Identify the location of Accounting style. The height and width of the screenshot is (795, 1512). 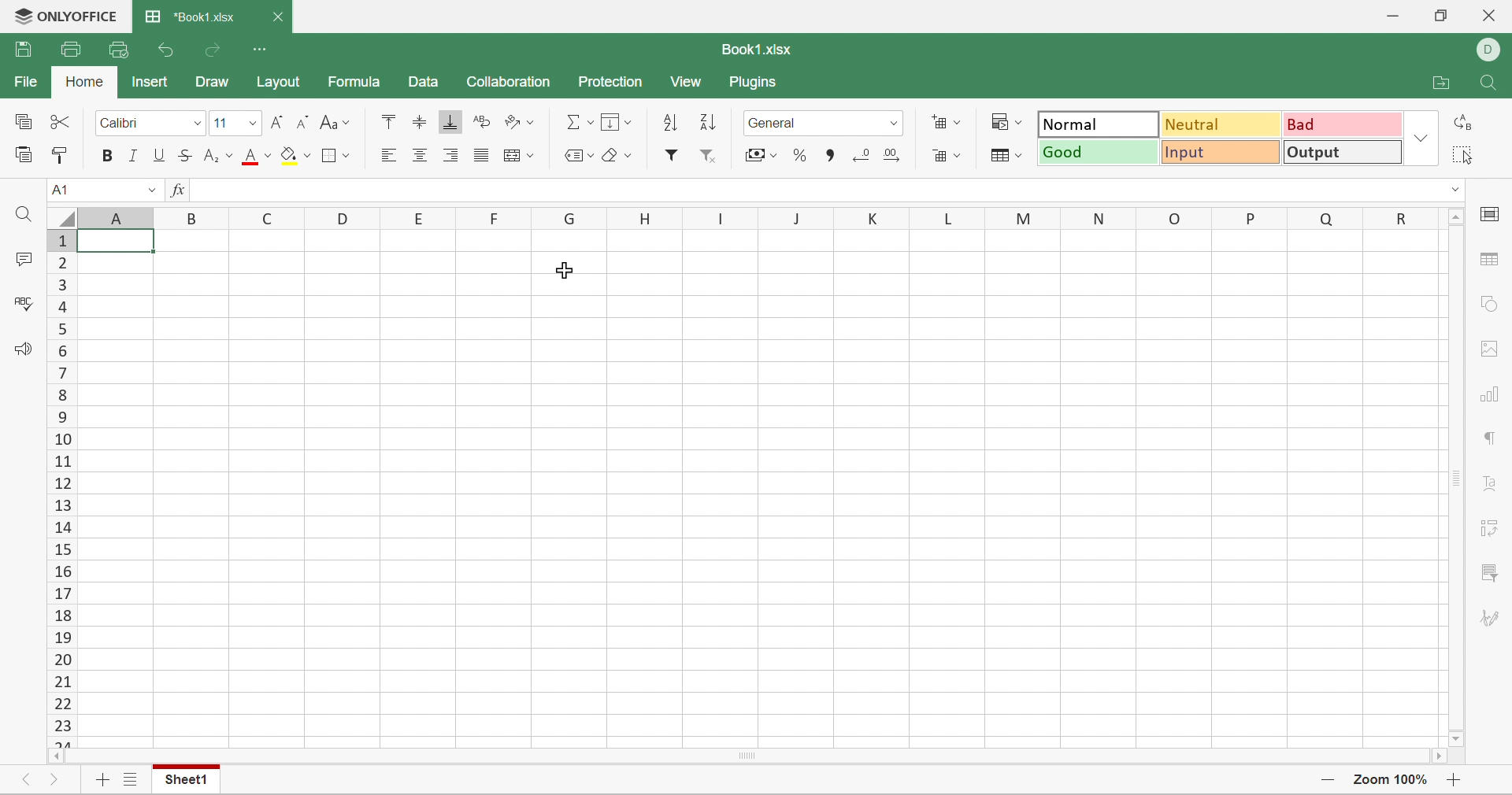
(759, 155).